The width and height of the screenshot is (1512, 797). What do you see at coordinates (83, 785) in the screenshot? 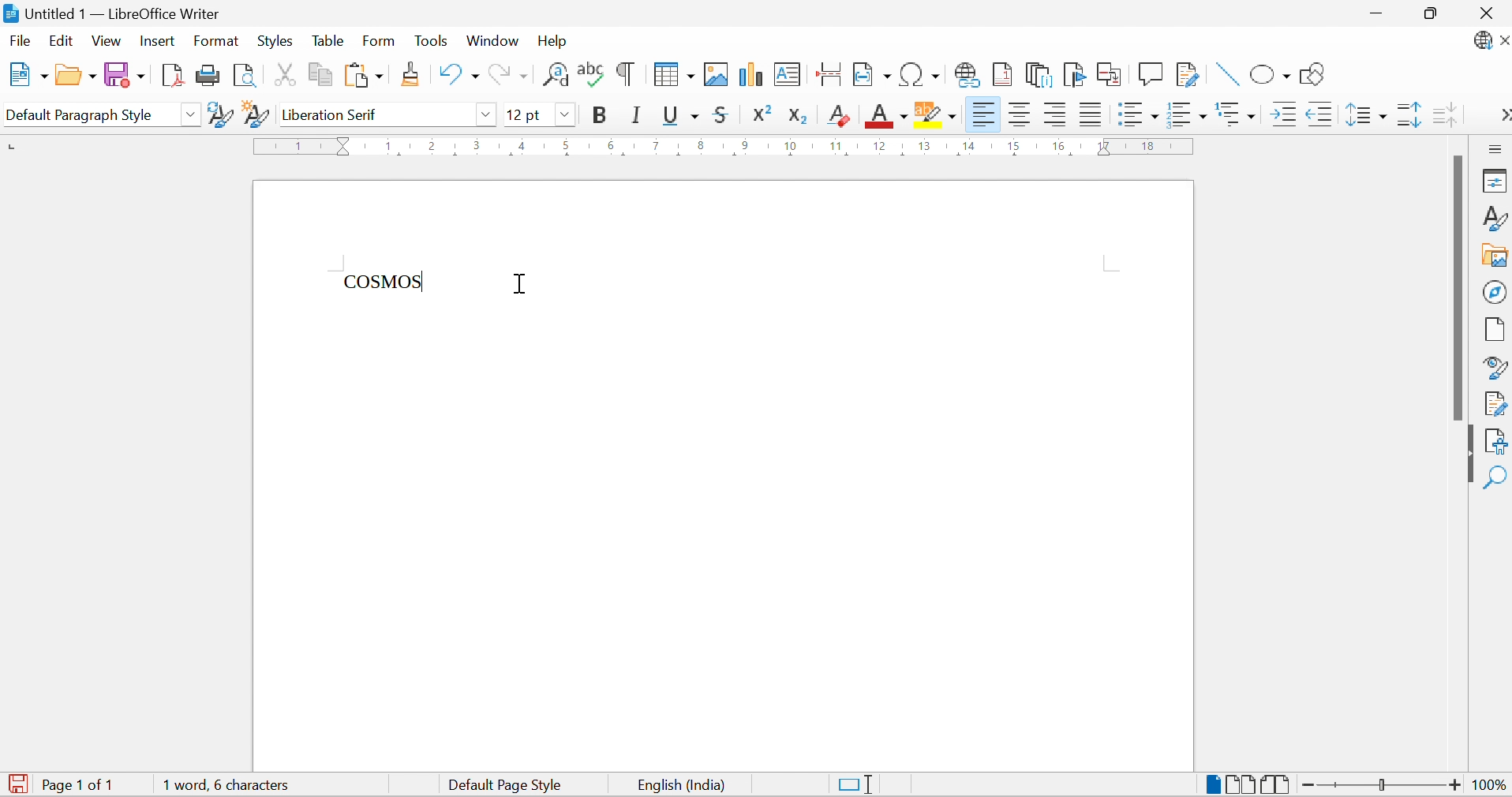
I see `Page 1 of 1` at bounding box center [83, 785].